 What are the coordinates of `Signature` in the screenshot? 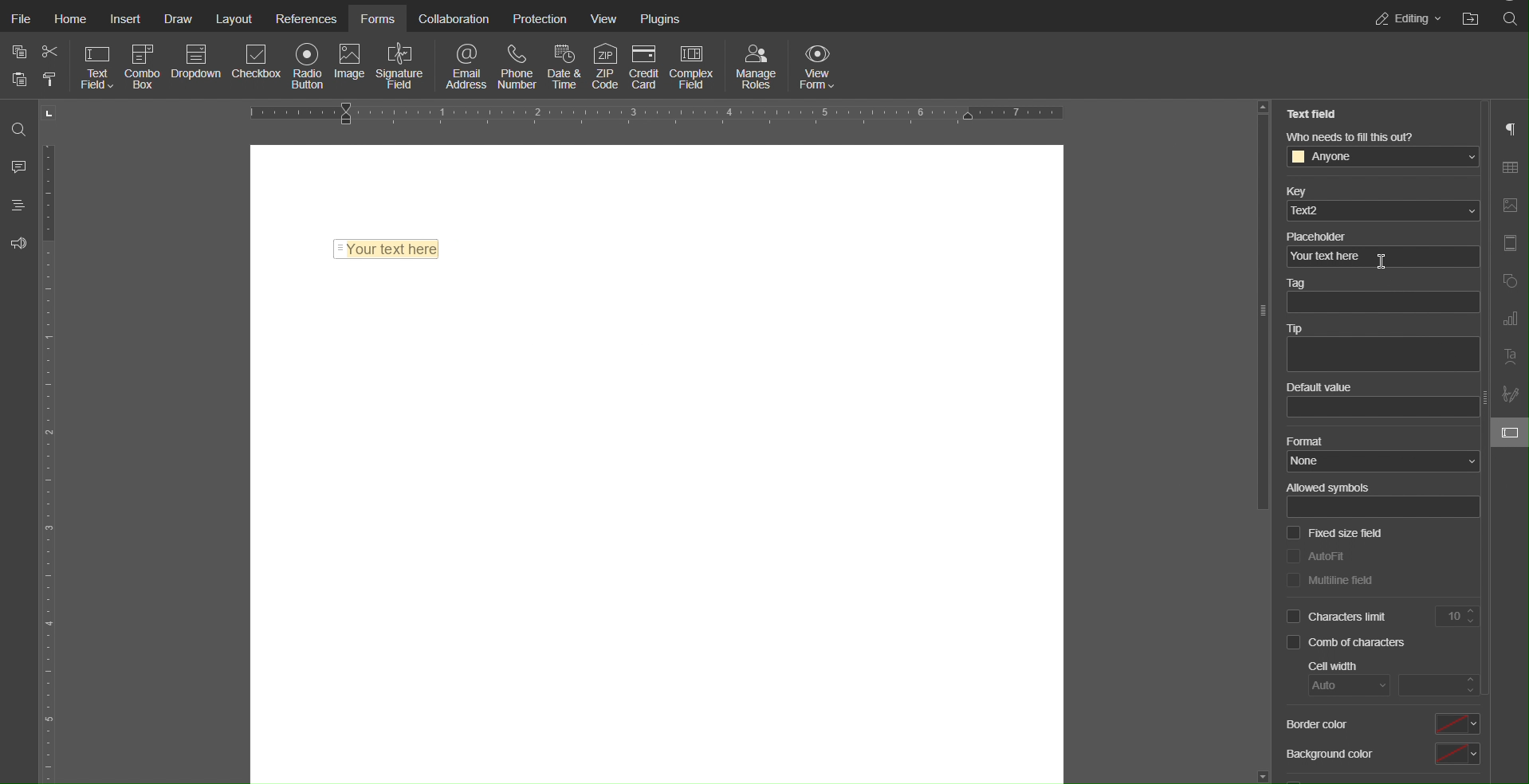 It's located at (399, 66).